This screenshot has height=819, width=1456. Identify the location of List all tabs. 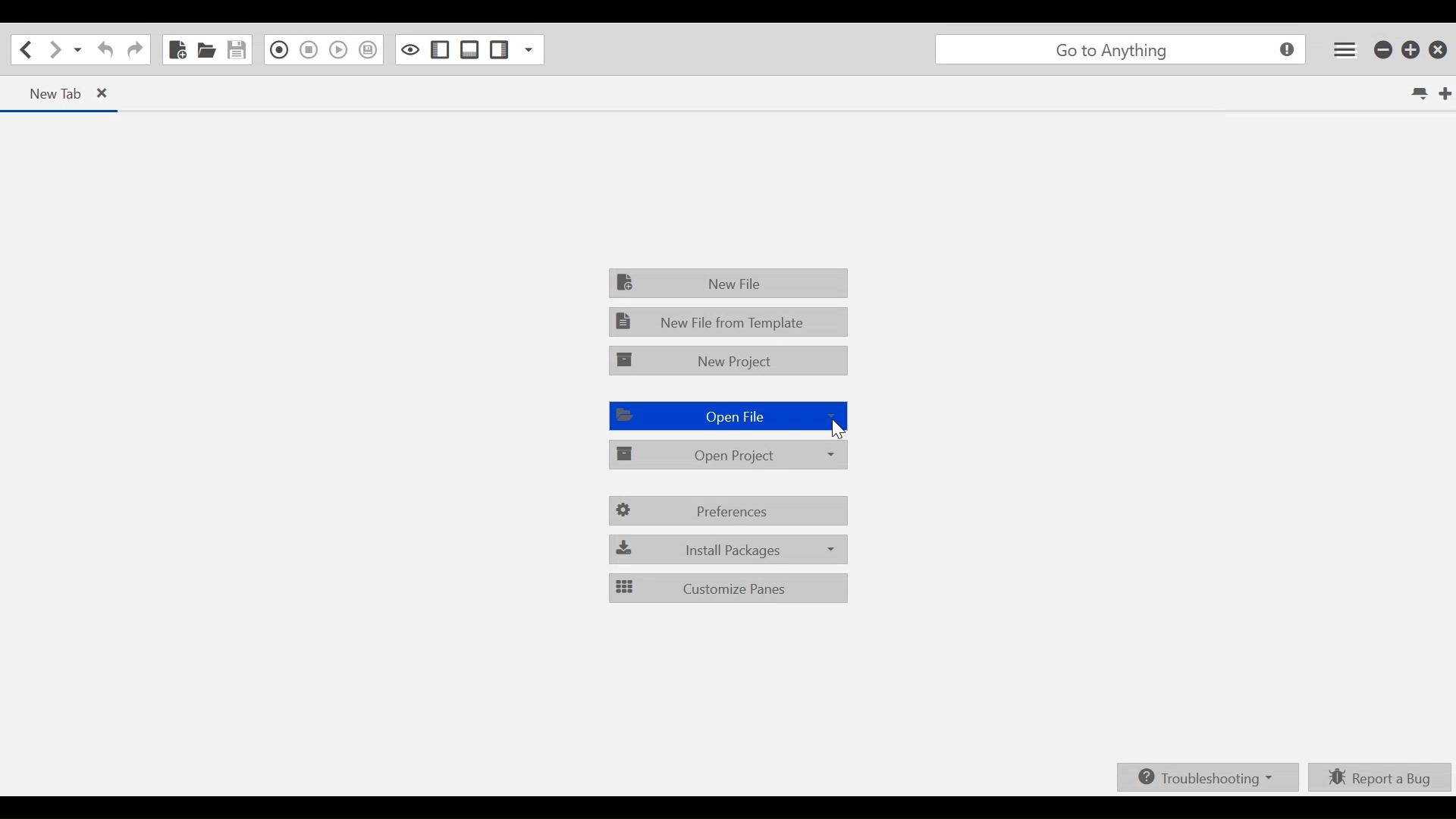
(1414, 93).